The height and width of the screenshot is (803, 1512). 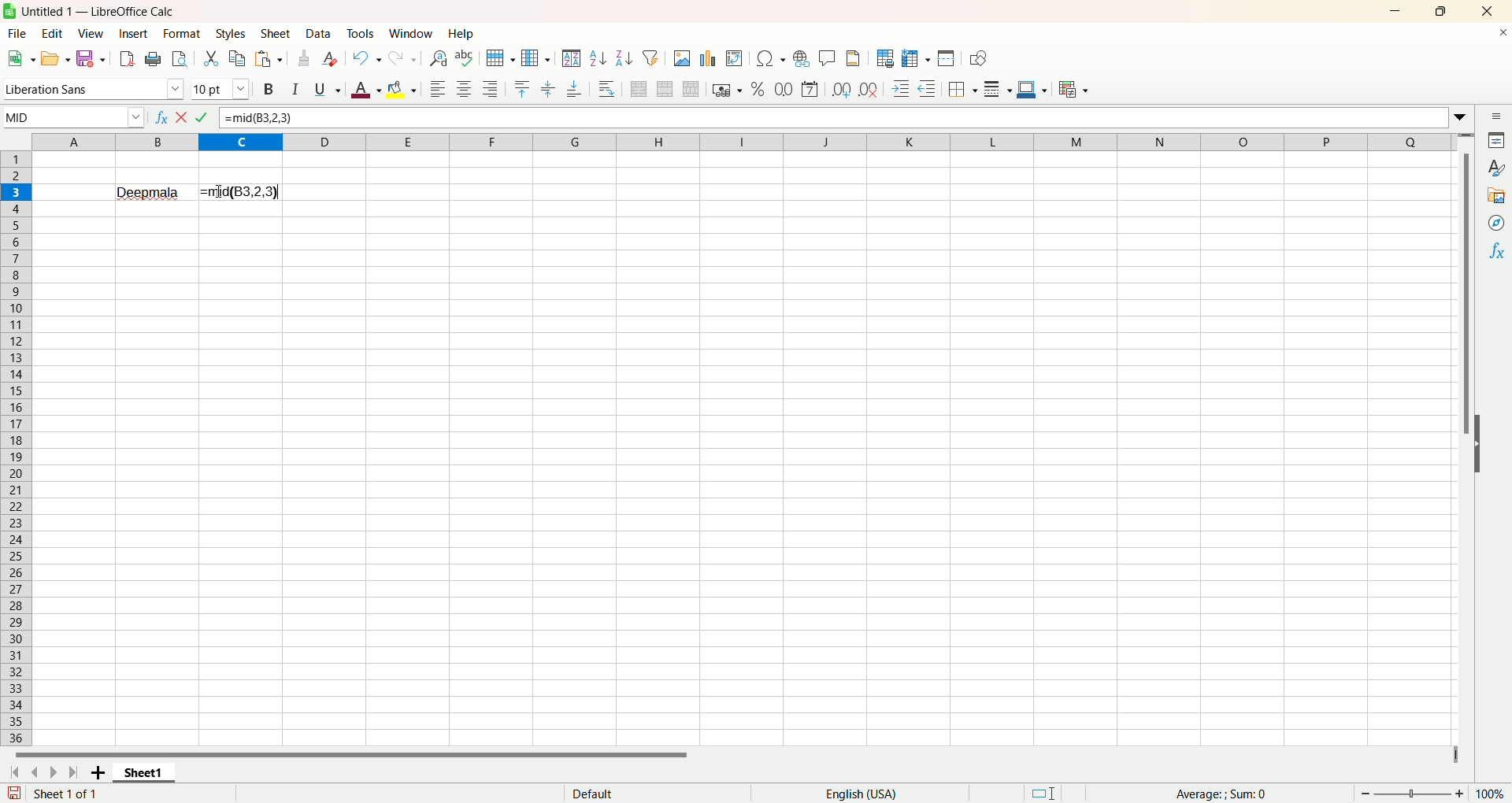 What do you see at coordinates (735, 59) in the screenshot?
I see `Pivot table` at bounding box center [735, 59].